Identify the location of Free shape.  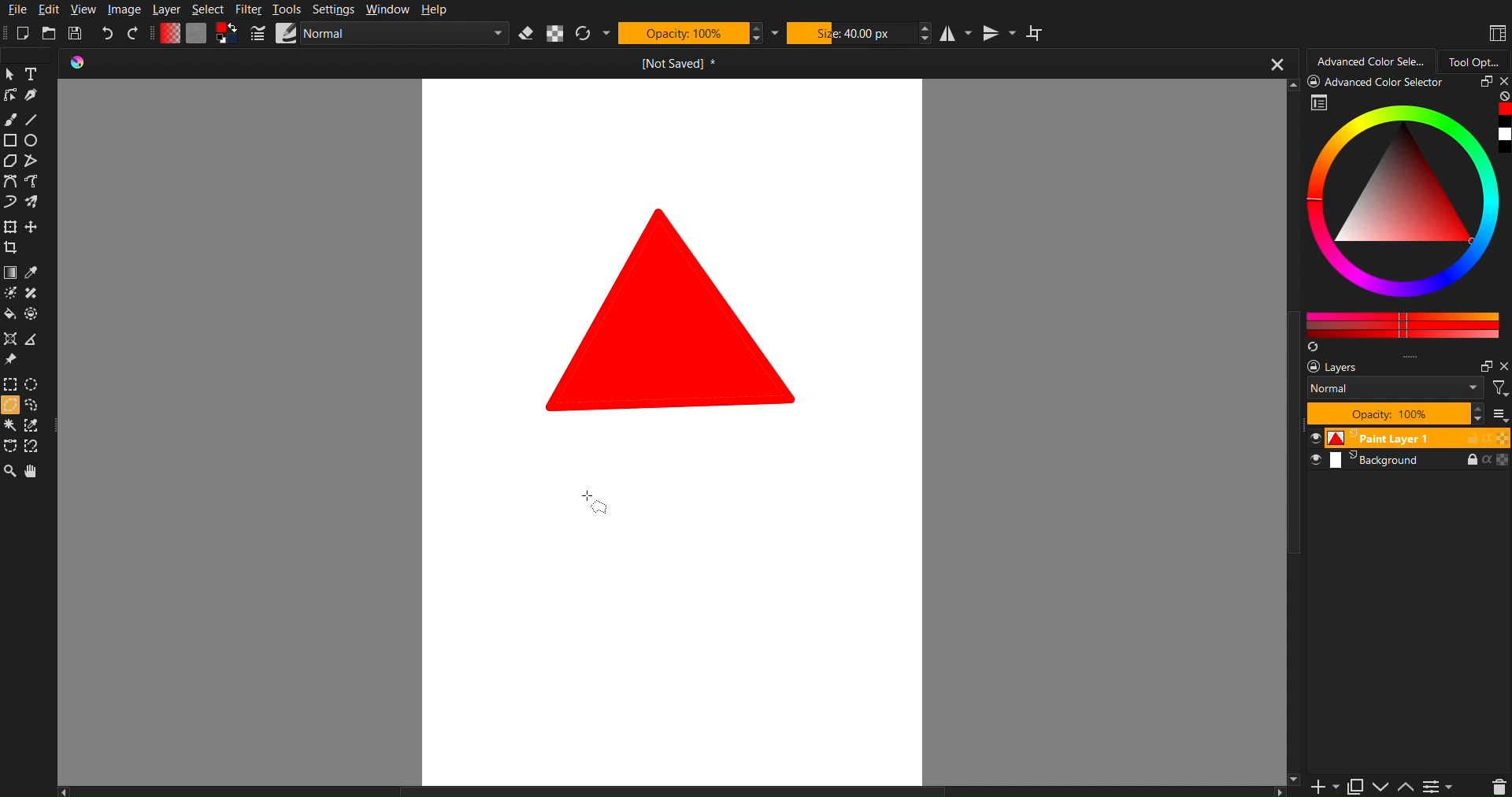
(30, 161).